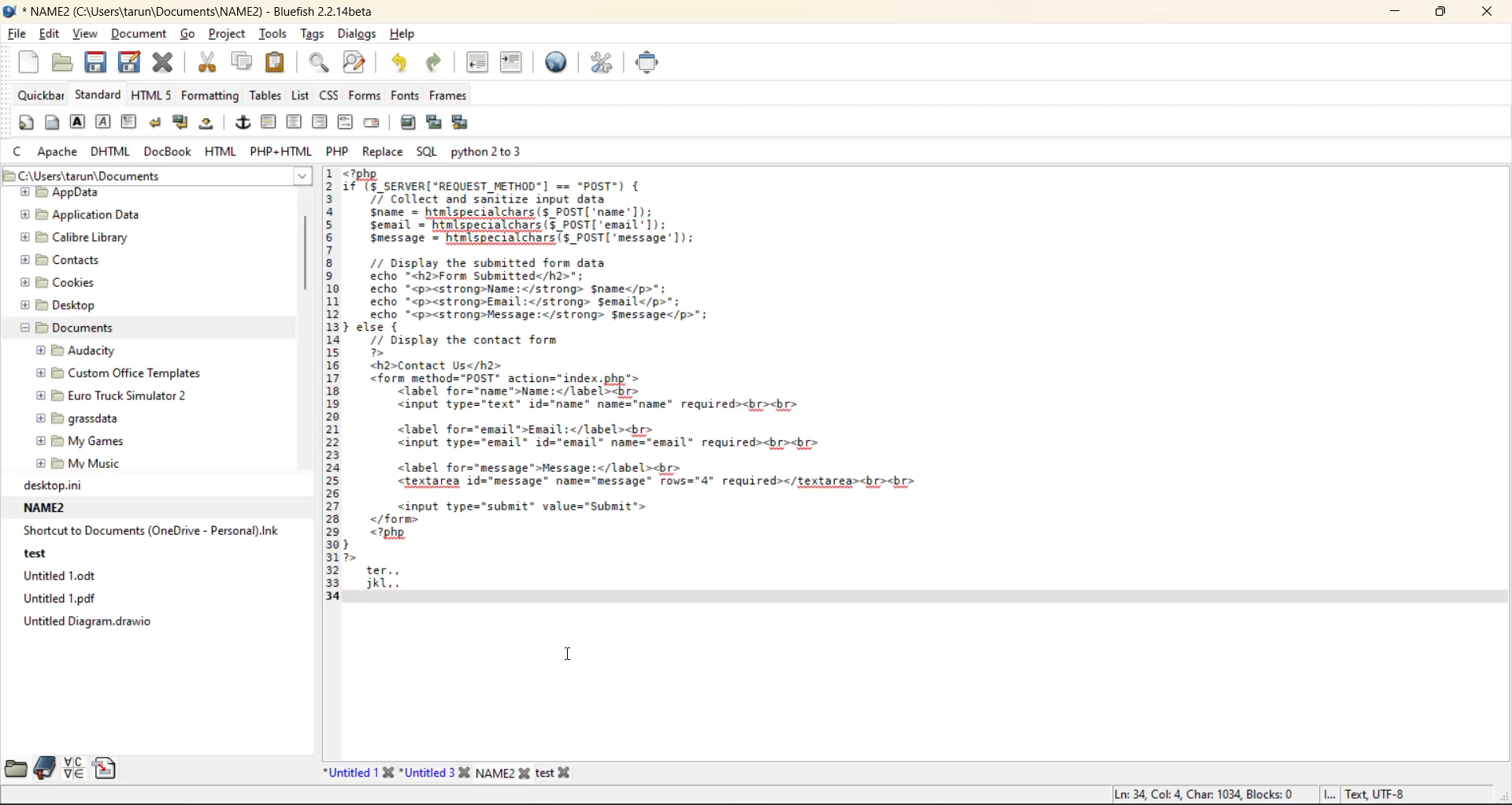 The image size is (1512, 805). What do you see at coordinates (406, 96) in the screenshot?
I see `fonts` at bounding box center [406, 96].